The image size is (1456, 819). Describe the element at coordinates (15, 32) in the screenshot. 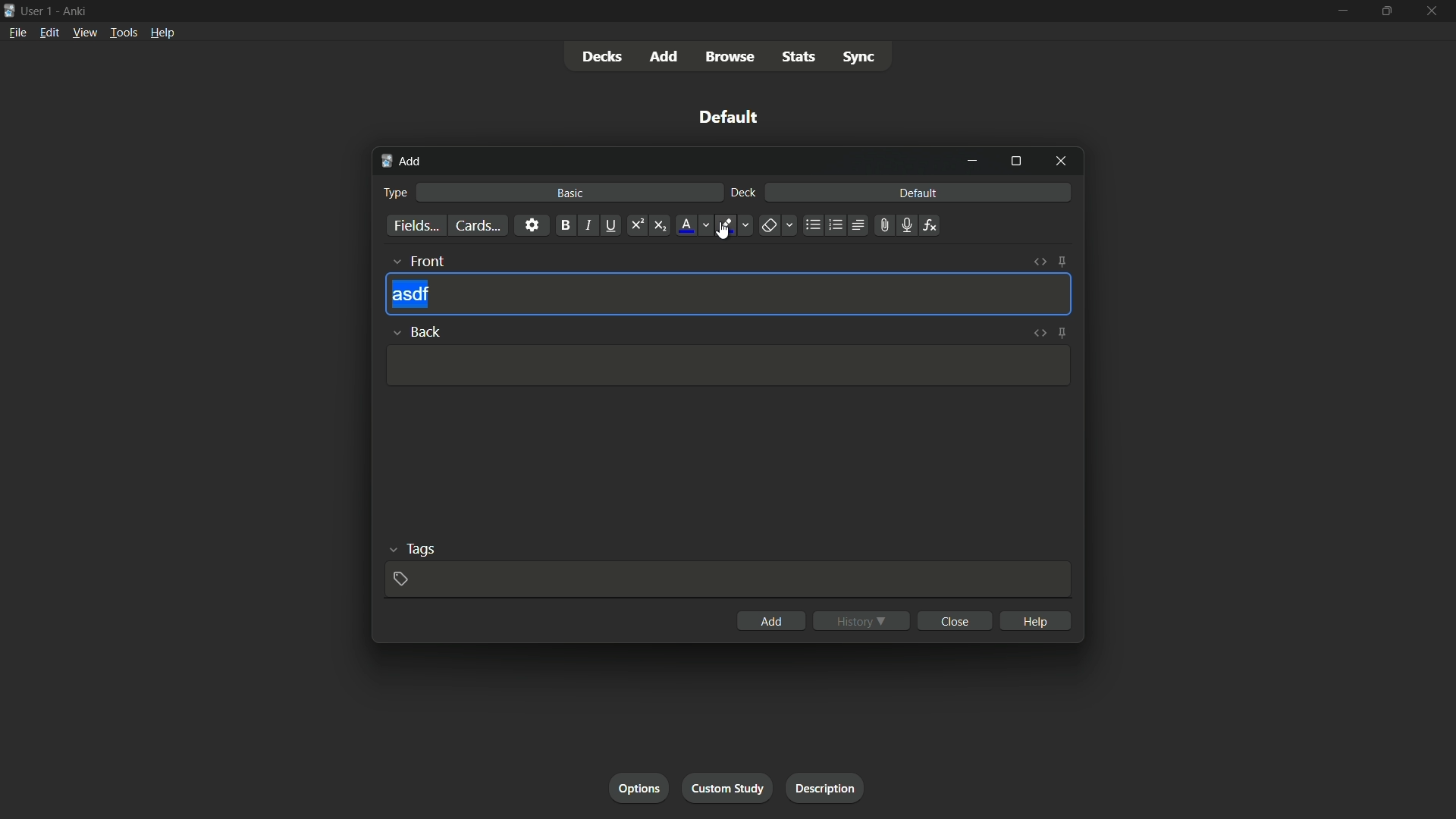

I see `file` at that location.